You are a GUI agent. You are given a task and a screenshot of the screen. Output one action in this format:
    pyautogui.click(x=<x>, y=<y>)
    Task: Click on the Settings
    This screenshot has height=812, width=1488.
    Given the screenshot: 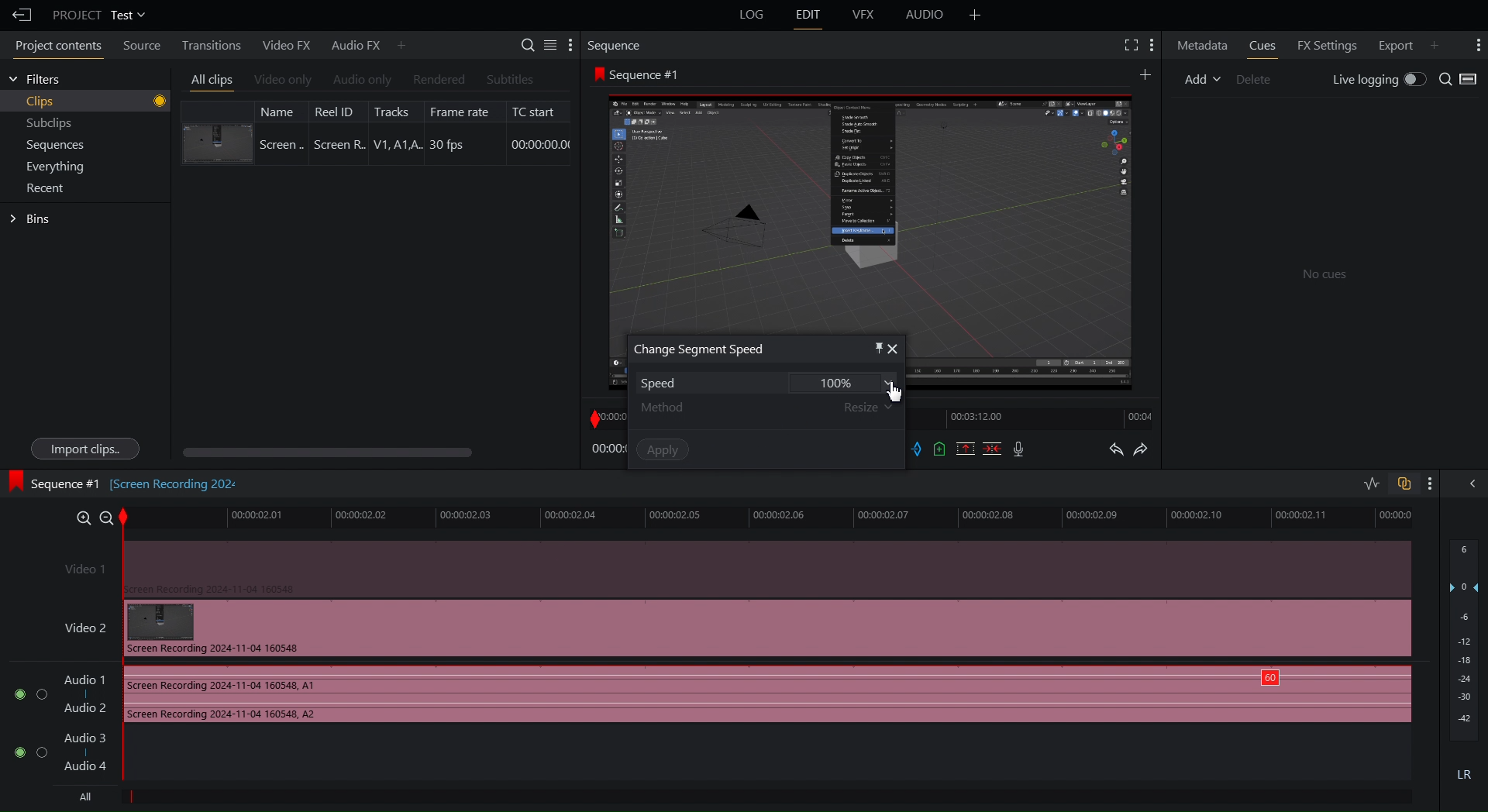 What is the action you would take?
    pyautogui.click(x=548, y=44)
    